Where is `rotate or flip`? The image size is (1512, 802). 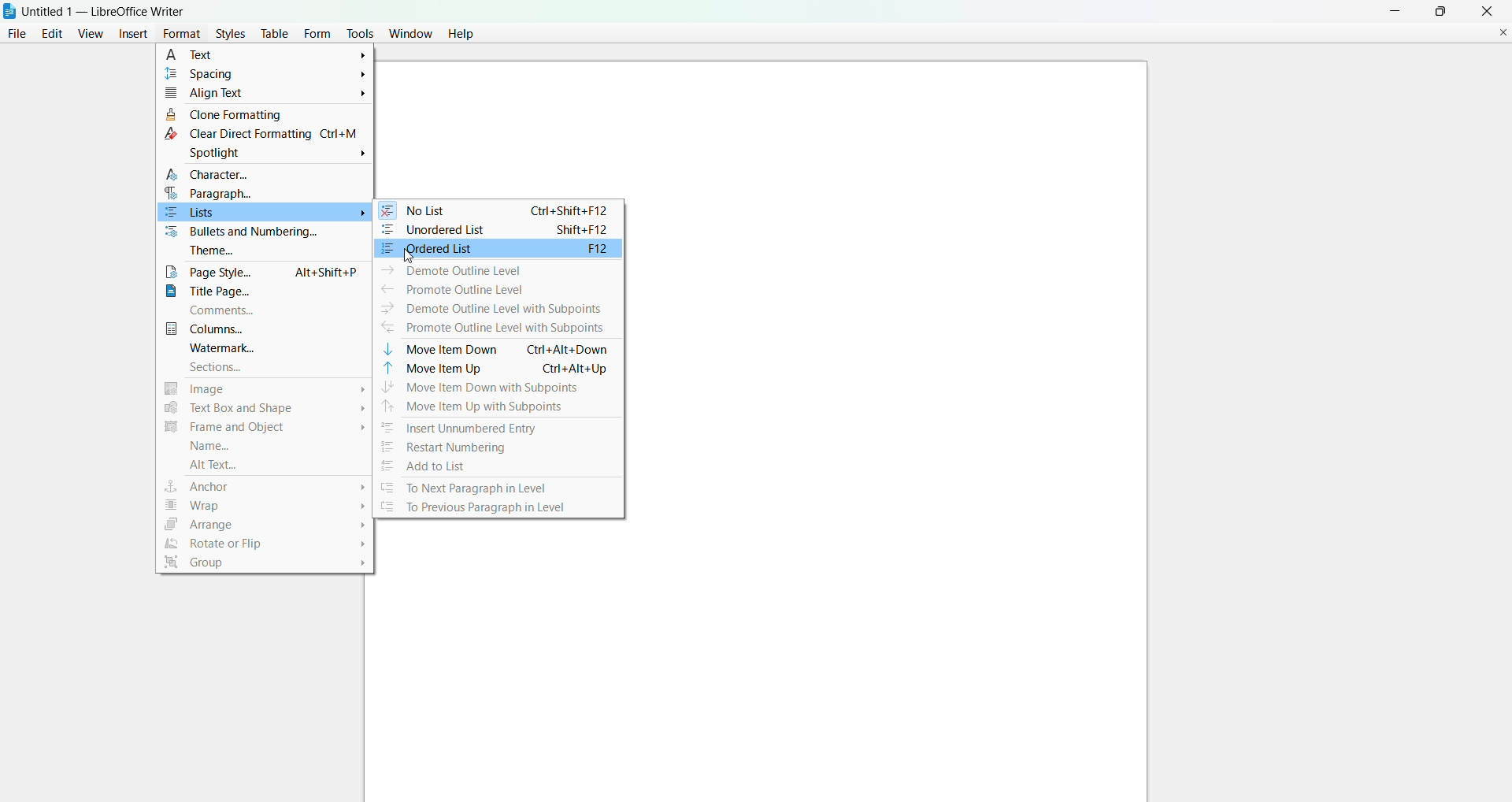 rotate or flip is located at coordinates (265, 545).